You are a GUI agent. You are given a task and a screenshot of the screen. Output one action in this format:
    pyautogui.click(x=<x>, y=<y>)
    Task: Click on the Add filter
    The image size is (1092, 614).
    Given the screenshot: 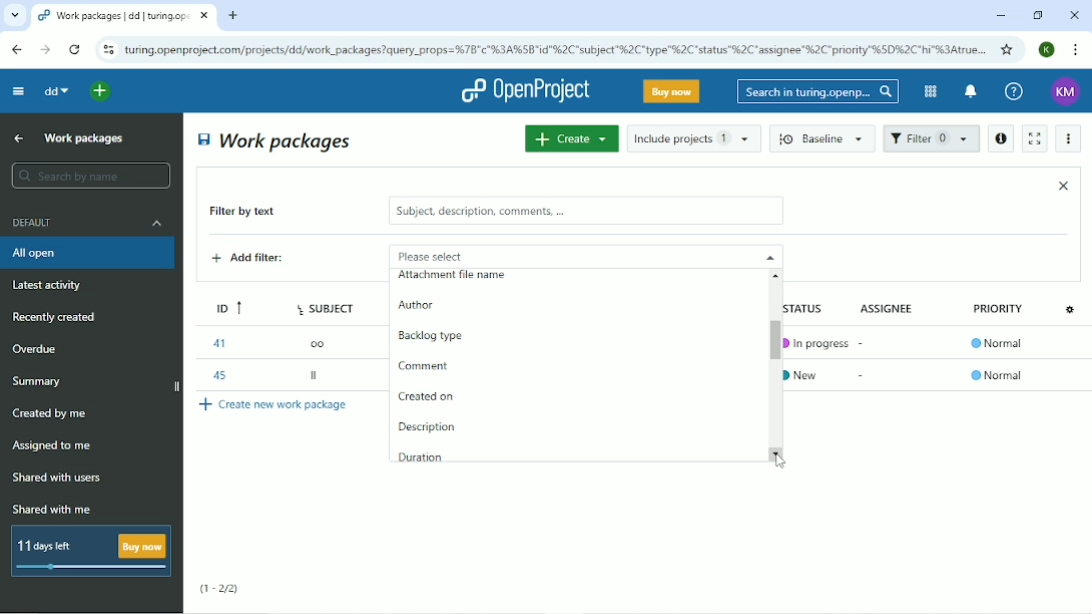 What is the action you would take?
    pyautogui.click(x=263, y=260)
    